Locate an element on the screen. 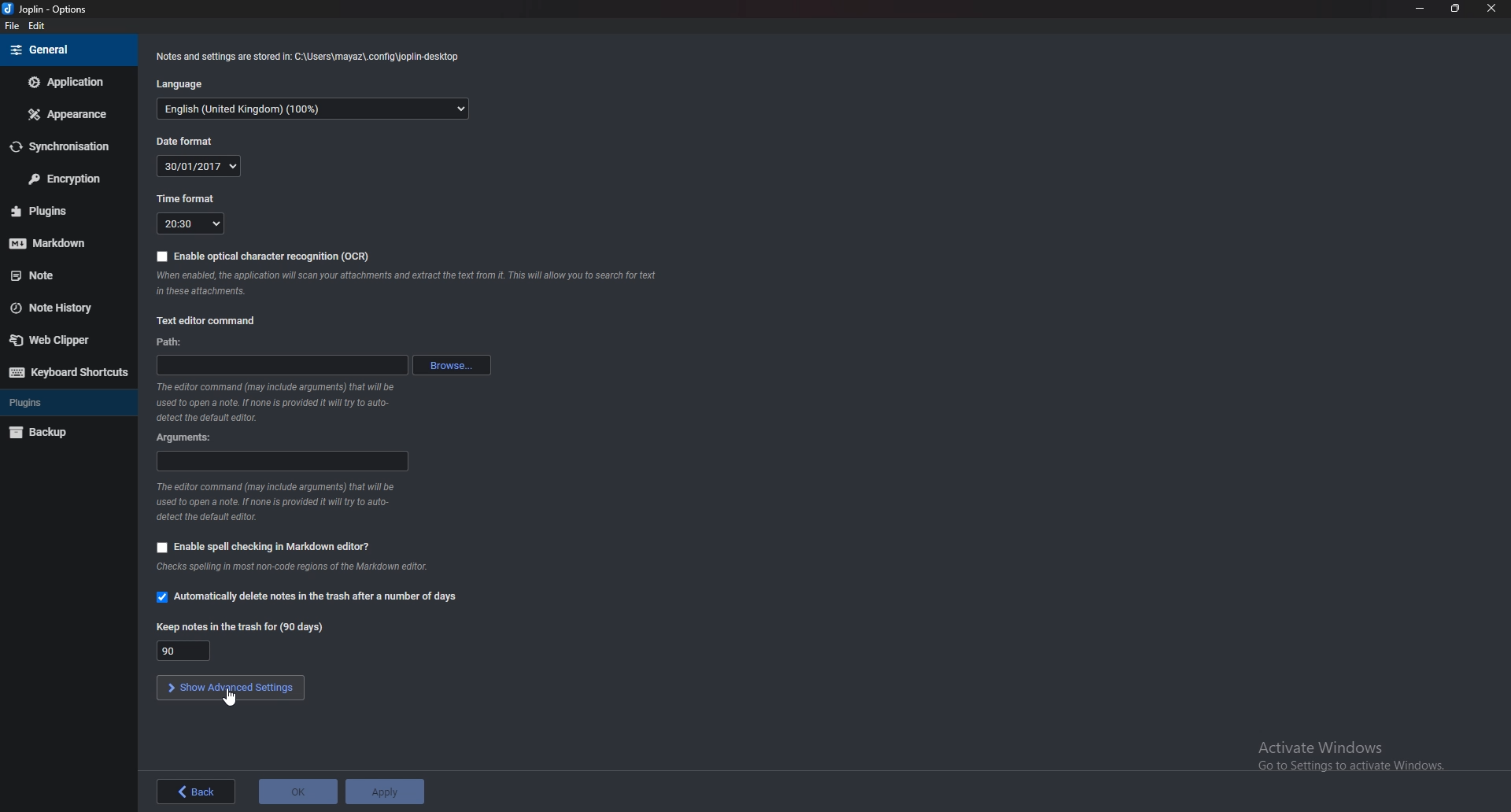 The width and height of the screenshot is (1511, 812). English is located at coordinates (314, 109).